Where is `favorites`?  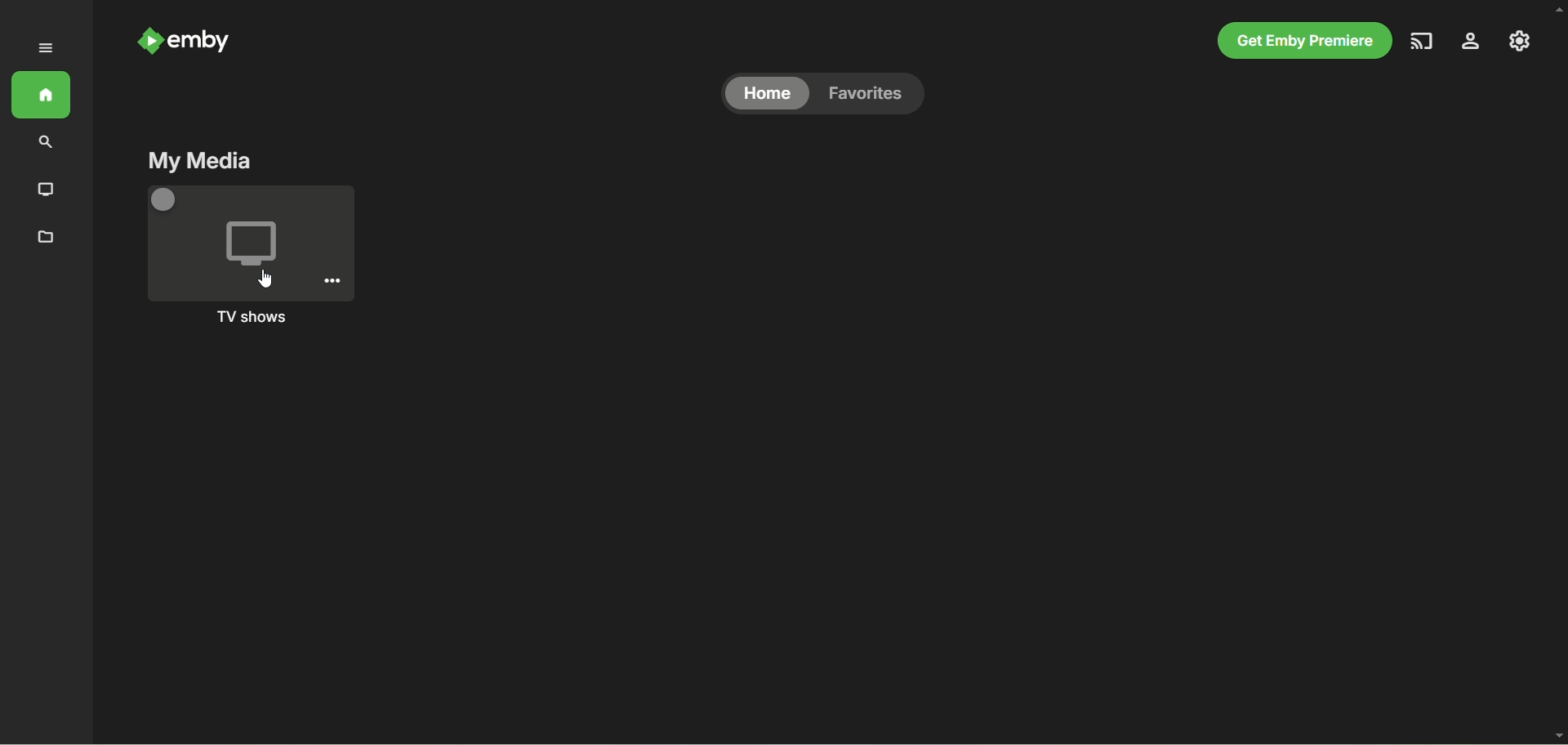 favorites is located at coordinates (871, 94).